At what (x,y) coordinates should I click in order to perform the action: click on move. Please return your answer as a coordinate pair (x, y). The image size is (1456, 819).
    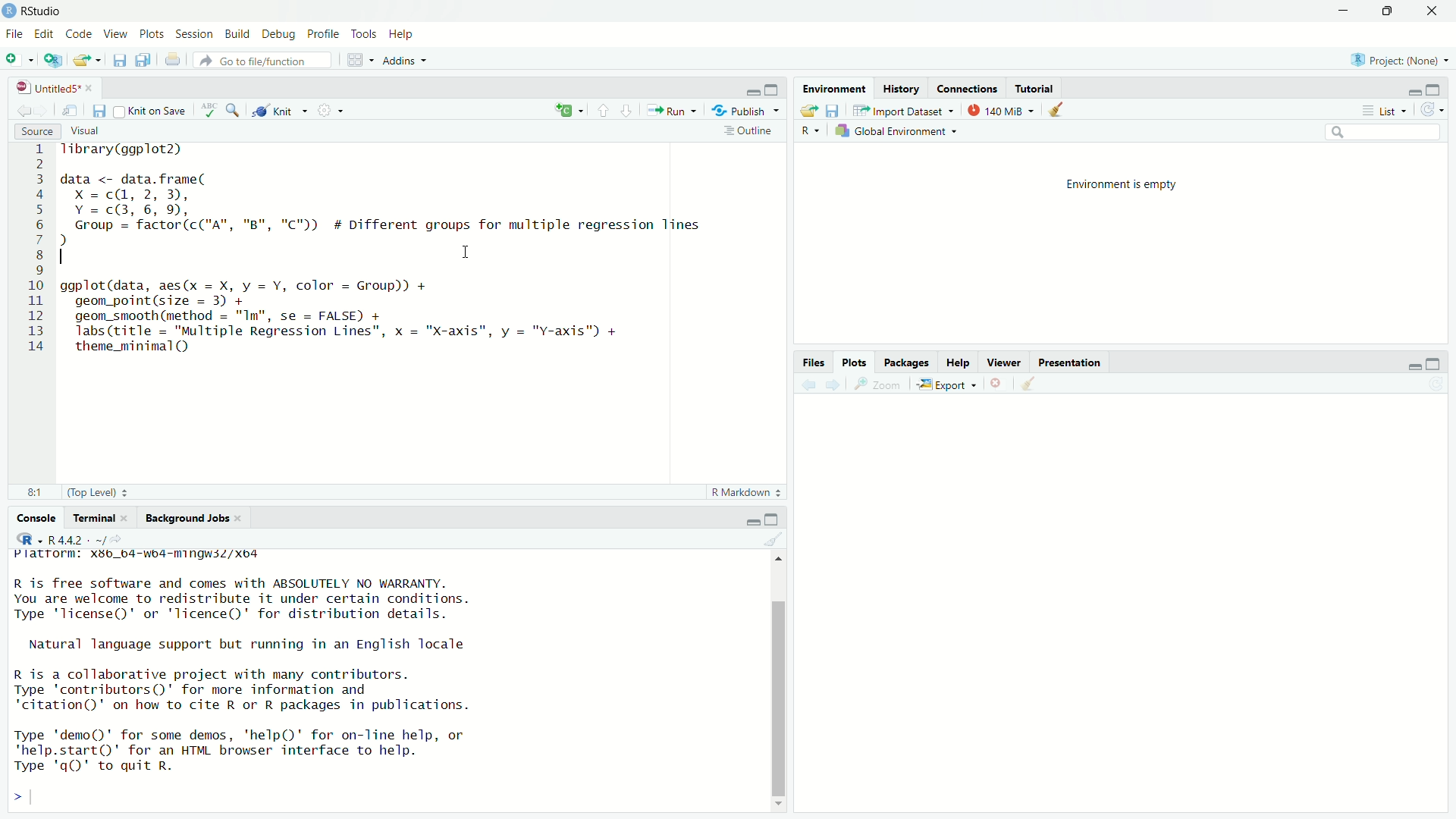
    Looking at the image, I should click on (72, 111).